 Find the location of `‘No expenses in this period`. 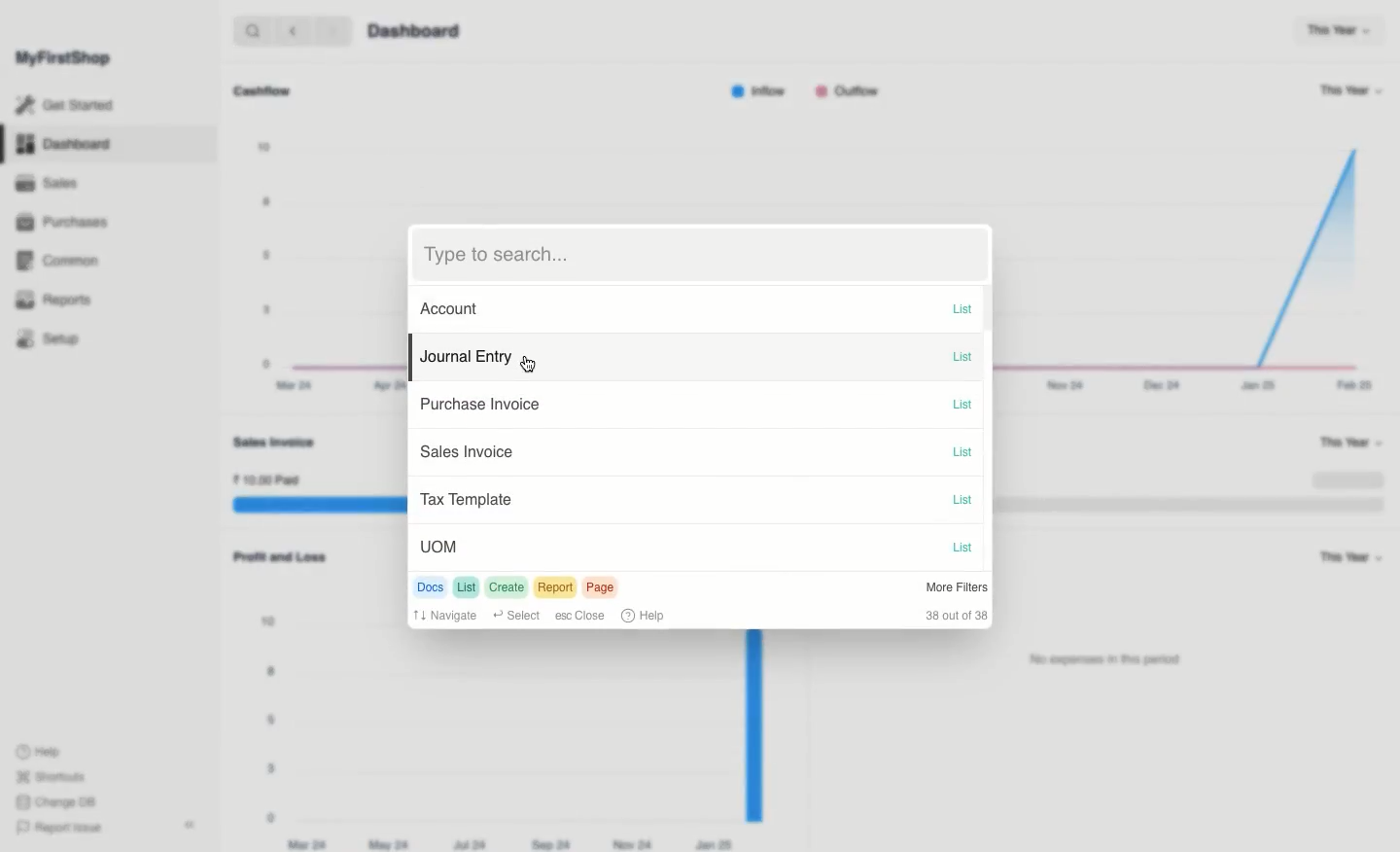

‘No expenses in this period is located at coordinates (1104, 658).